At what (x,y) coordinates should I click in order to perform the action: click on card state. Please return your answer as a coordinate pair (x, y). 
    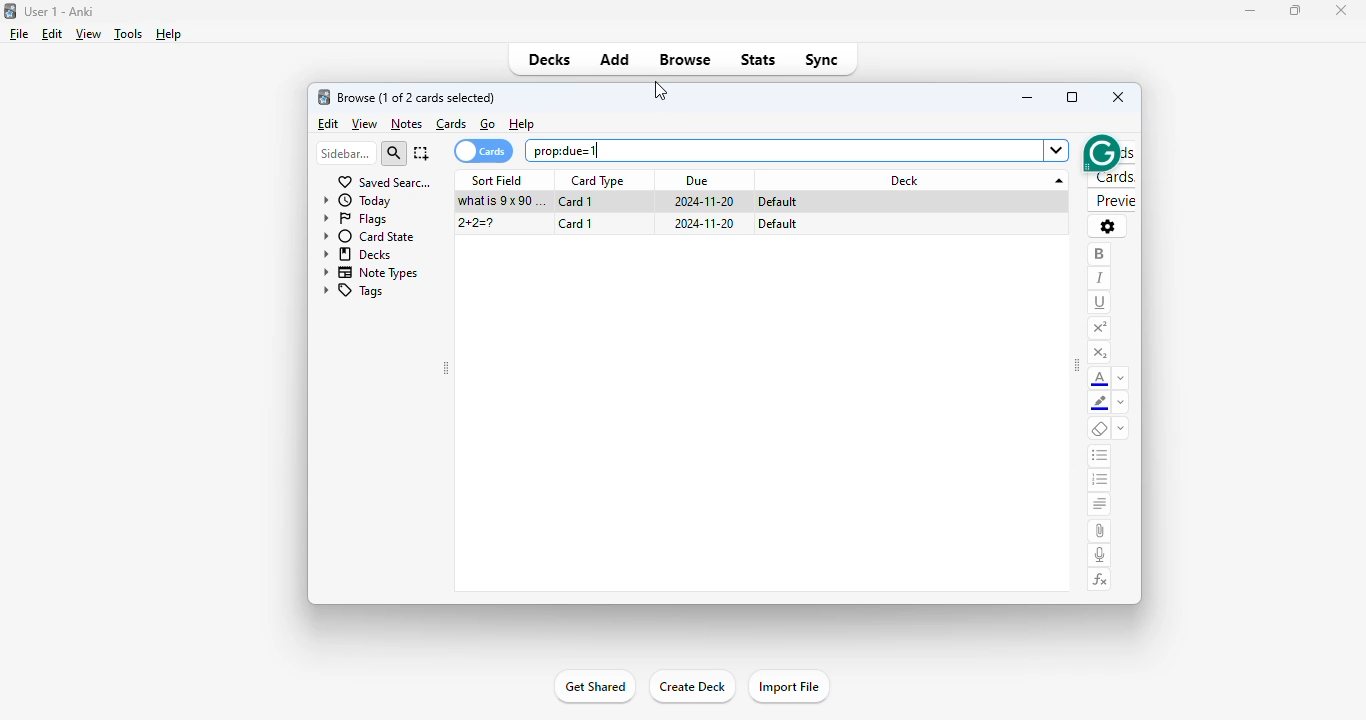
    Looking at the image, I should click on (371, 236).